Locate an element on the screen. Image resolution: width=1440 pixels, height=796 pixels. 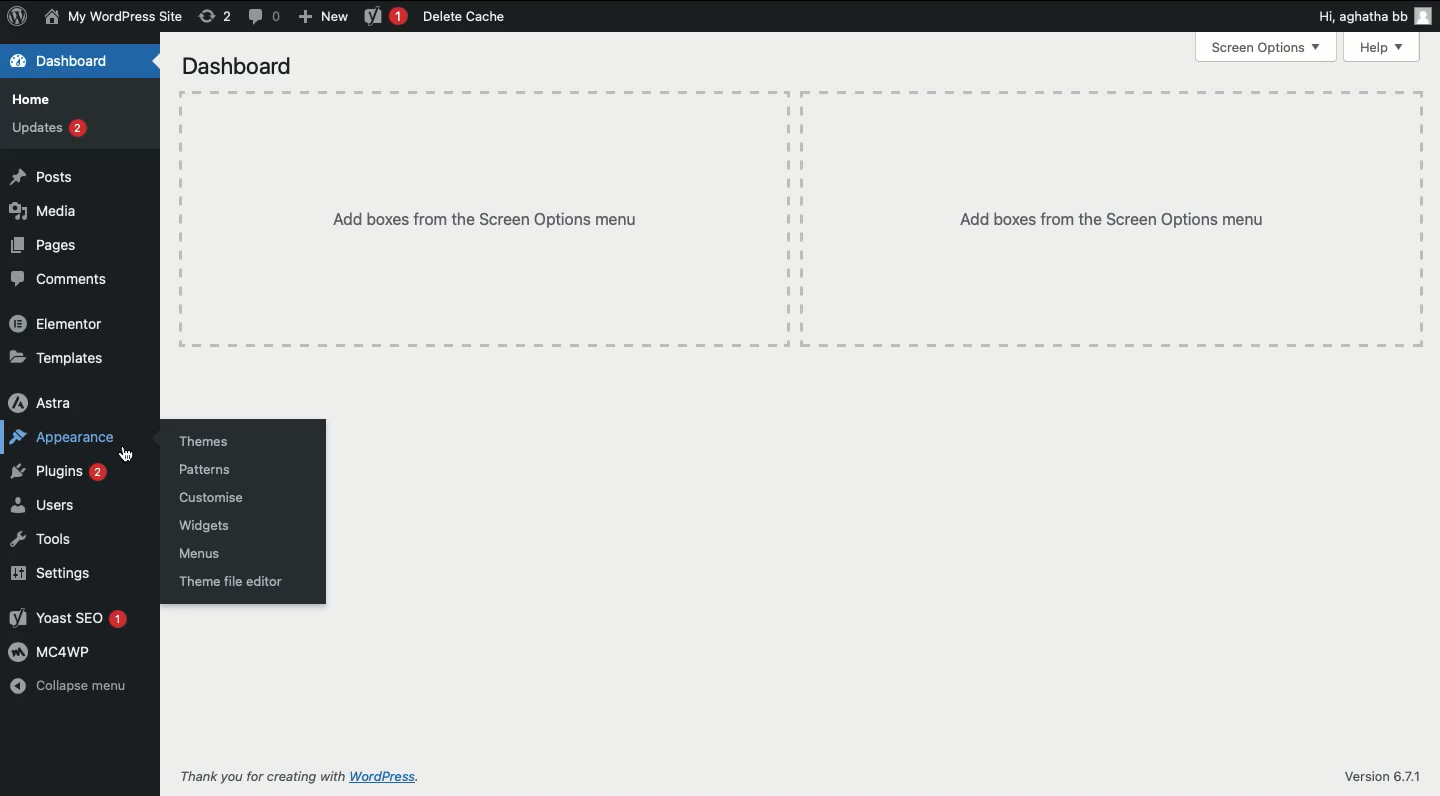
Screen Options v is located at coordinates (1264, 49).